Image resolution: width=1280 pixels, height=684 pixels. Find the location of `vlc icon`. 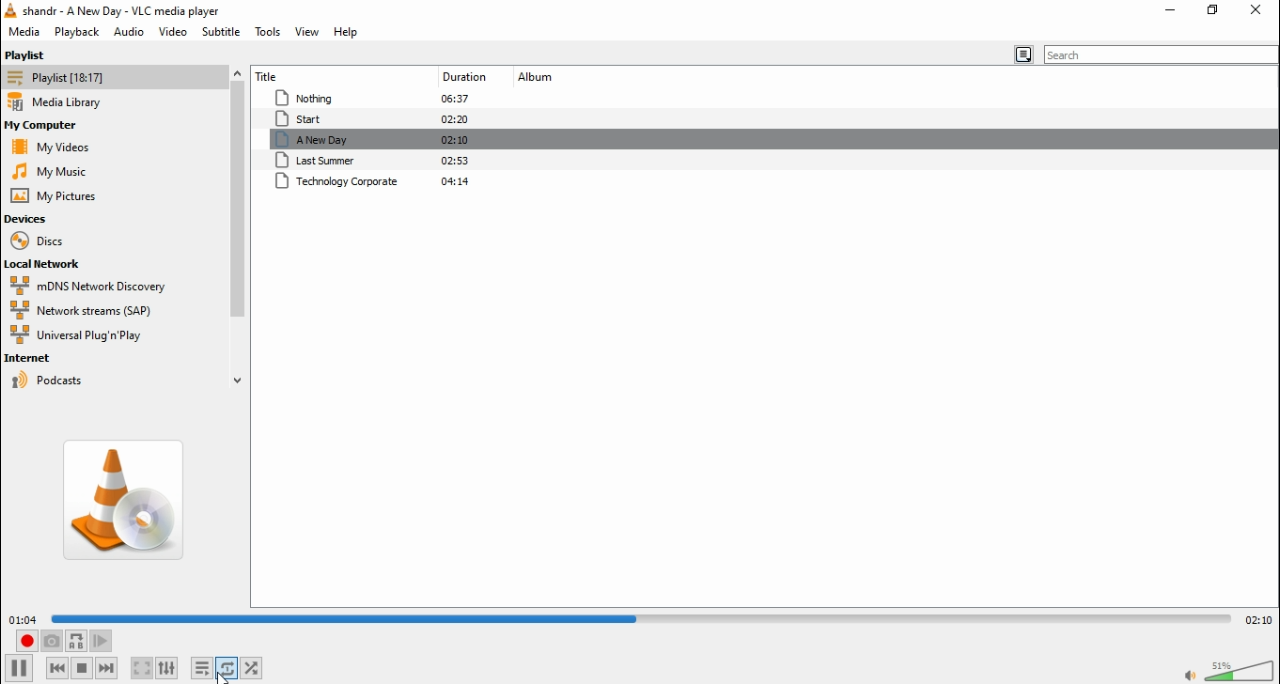

vlc icon is located at coordinates (10, 11).